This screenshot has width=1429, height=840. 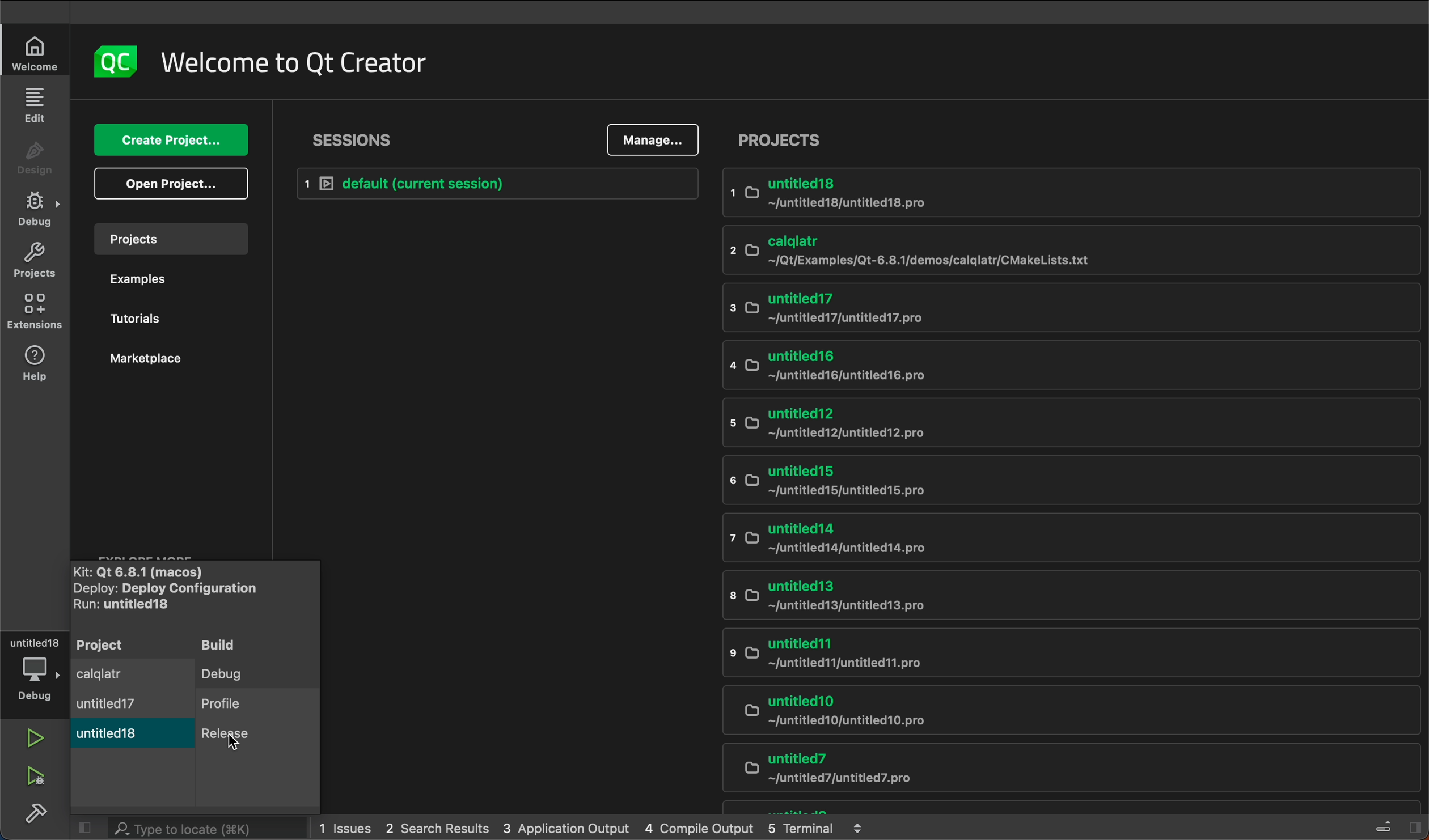 I want to click on Current session, so click(x=501, y=184).